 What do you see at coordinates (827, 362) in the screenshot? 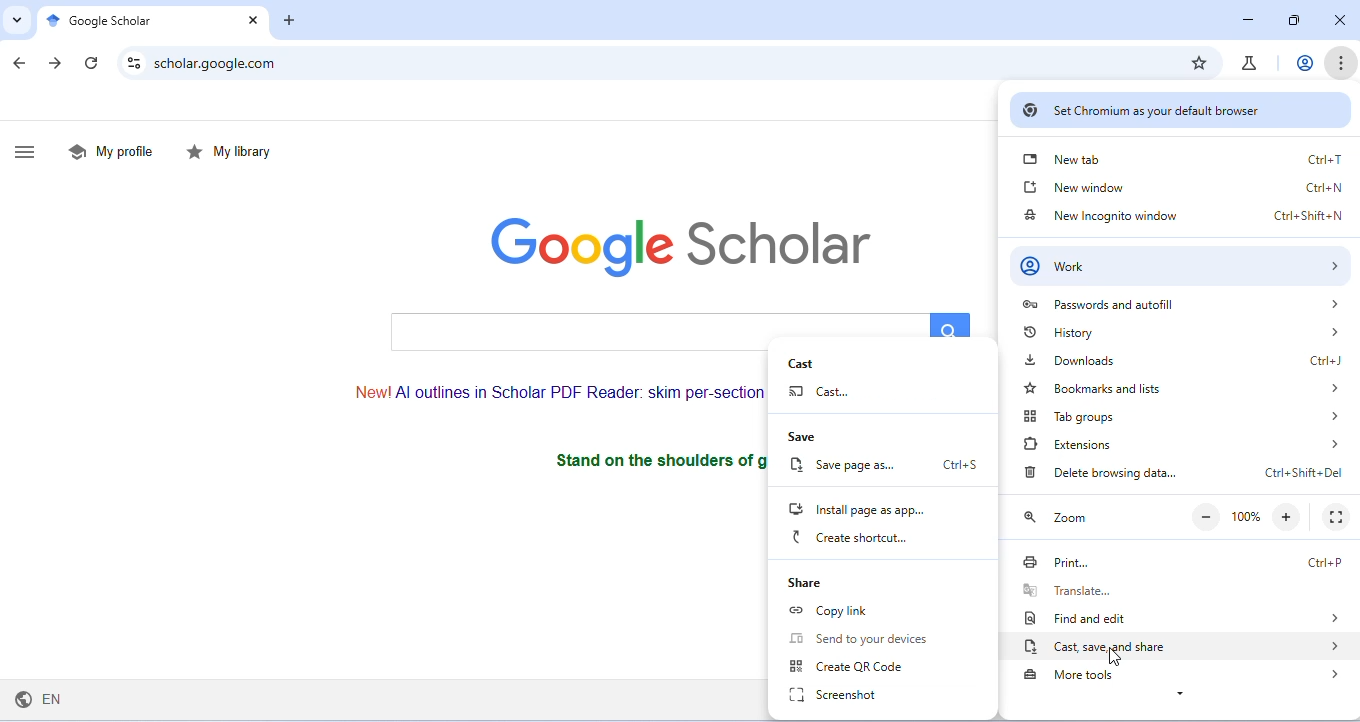
I see `cast` at bounding box center [827, 362].